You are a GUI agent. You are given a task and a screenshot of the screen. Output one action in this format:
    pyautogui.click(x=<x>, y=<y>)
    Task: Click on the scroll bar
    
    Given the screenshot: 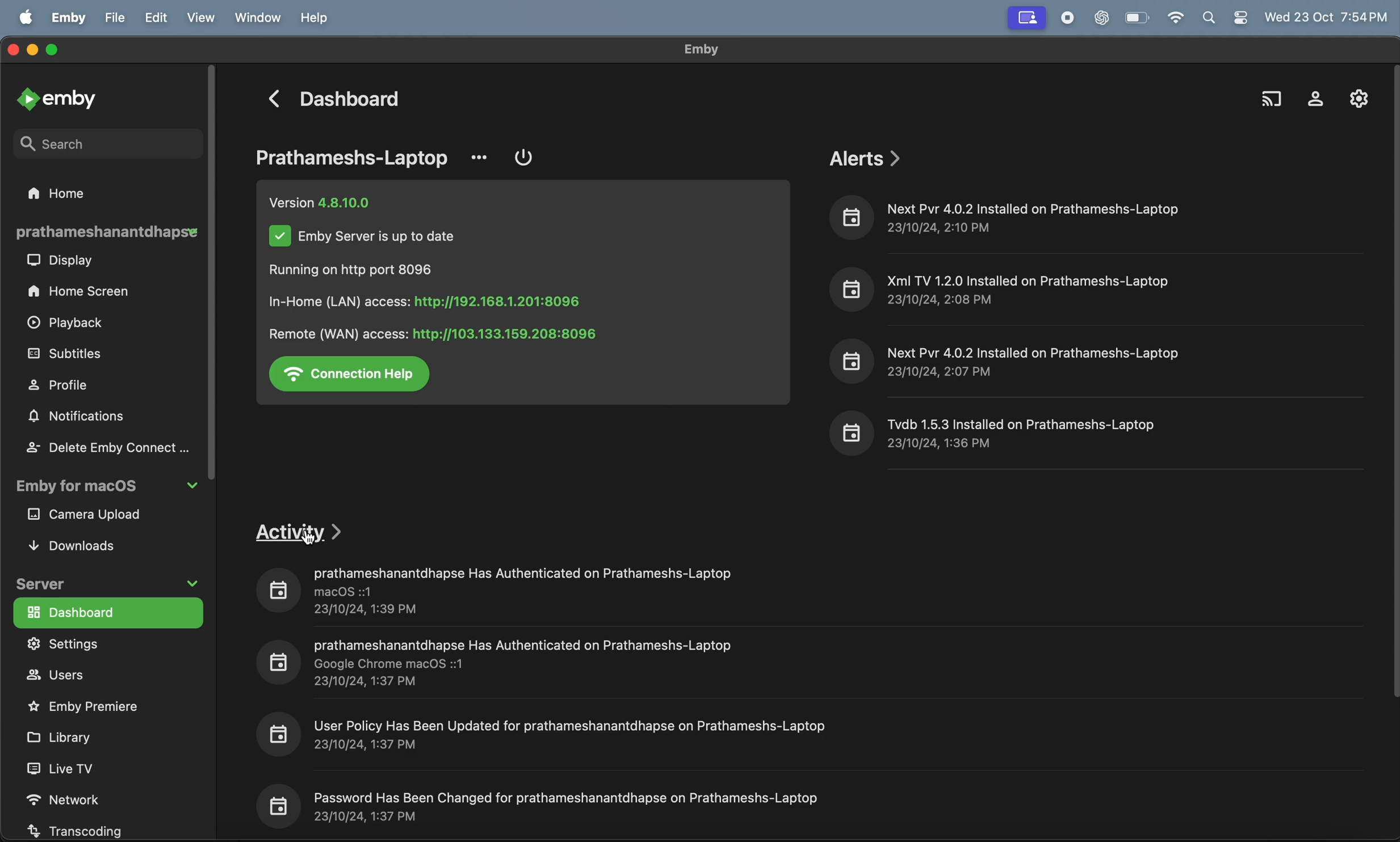 What is the action you would take?
    pyautogui.click(x=217, y=280)
    